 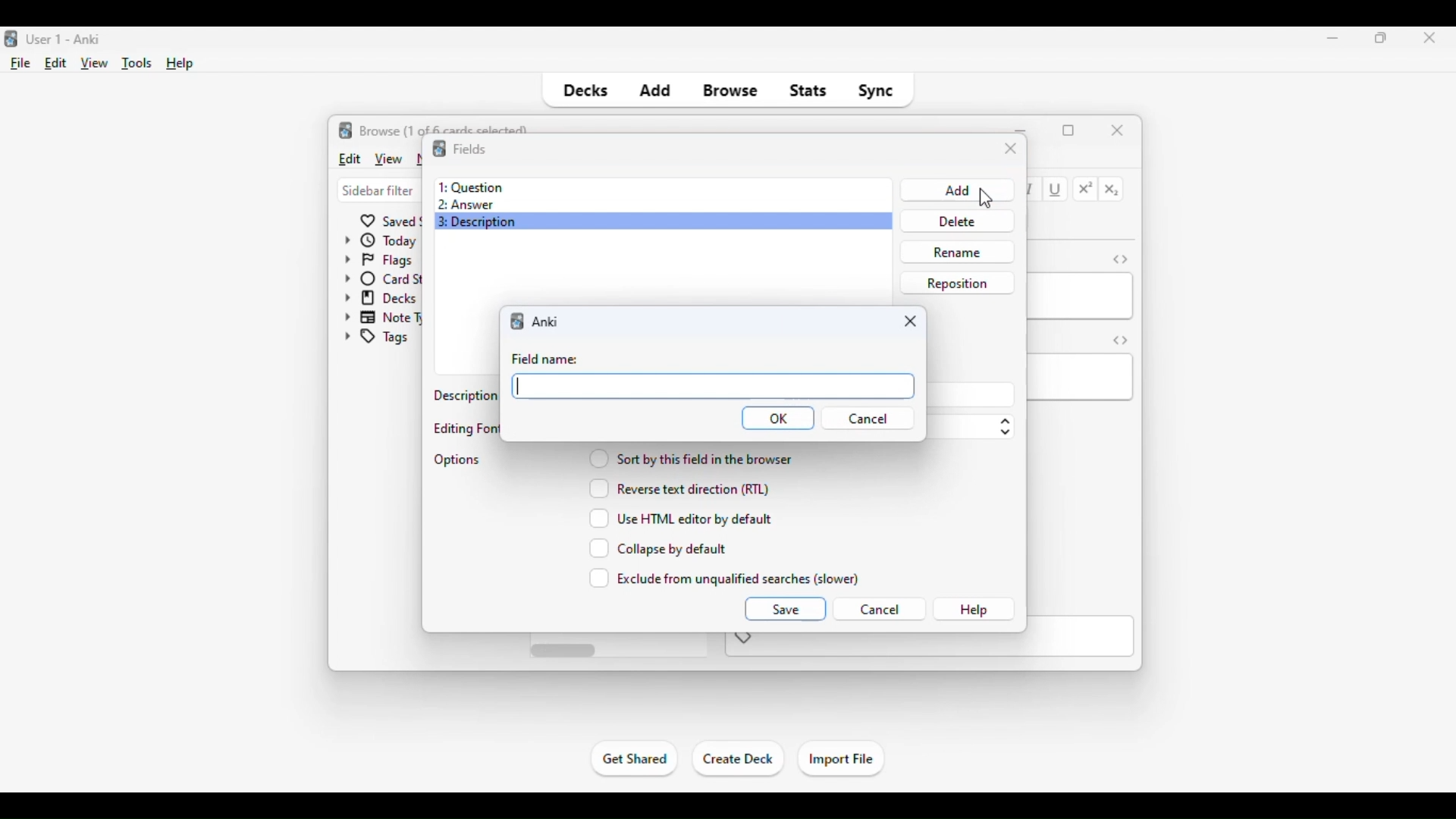 What do you see at coordinates (466, 206) in the screenshot?
I see `2: Answer` at bounding box center [466, 206].